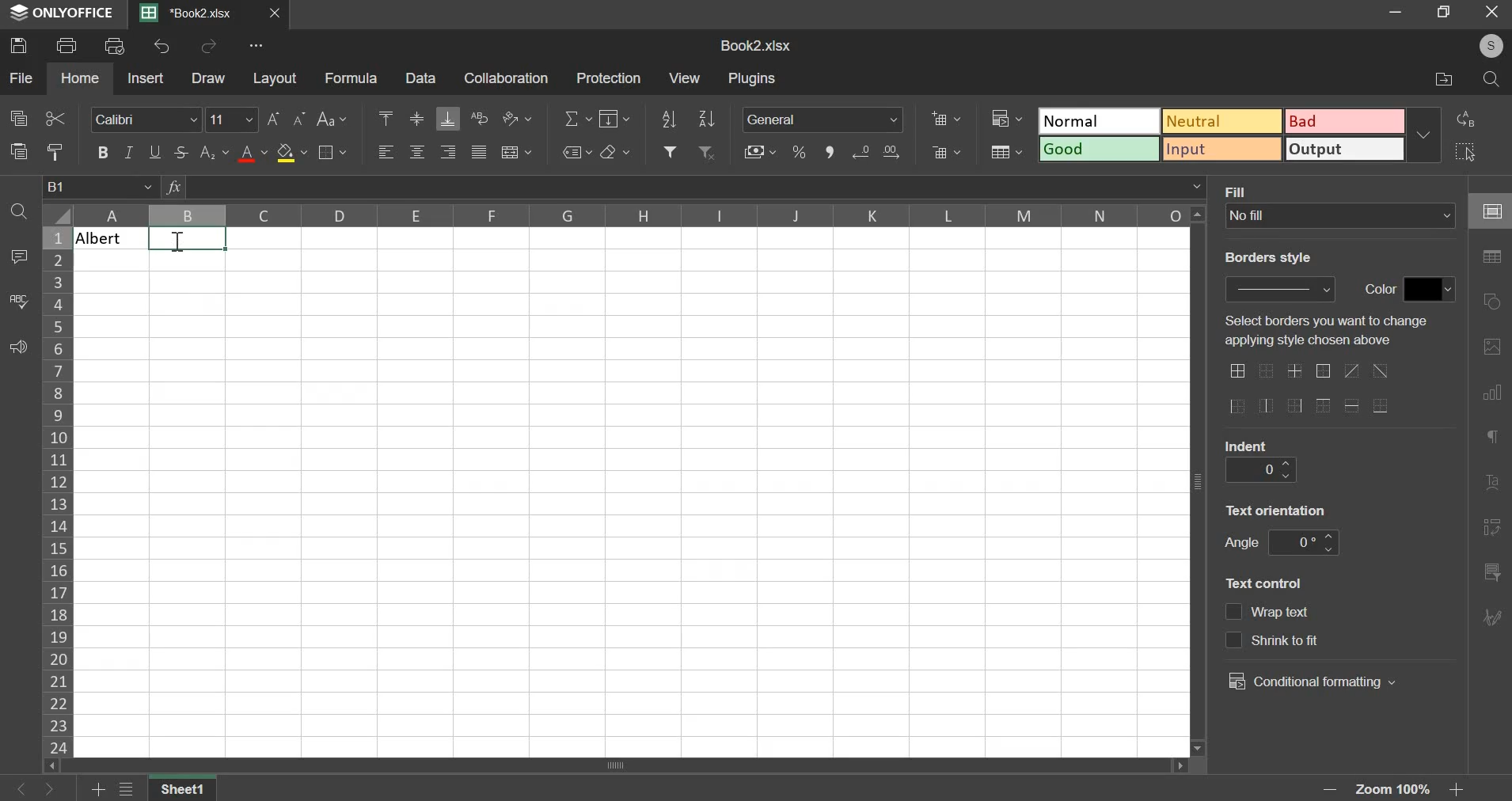 The image size is (1512, 801). What do you see at coordinates (257, 45) in the screenshot?
I see `view more` at bounding box center [257, 45].